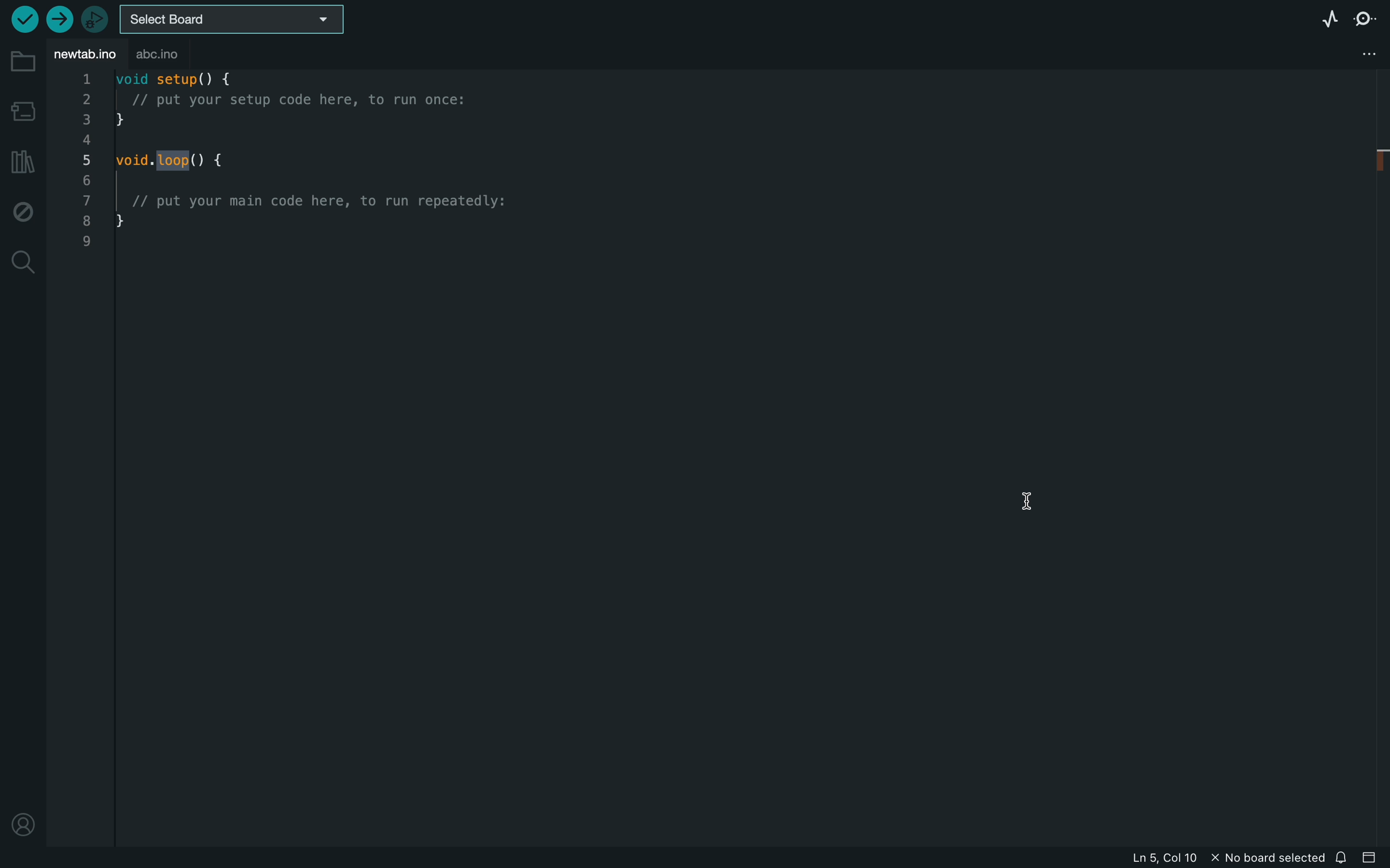  What do you see at coordinates (24, 262) in the screenshot?
I see `search` at bounding box center [24, 262].